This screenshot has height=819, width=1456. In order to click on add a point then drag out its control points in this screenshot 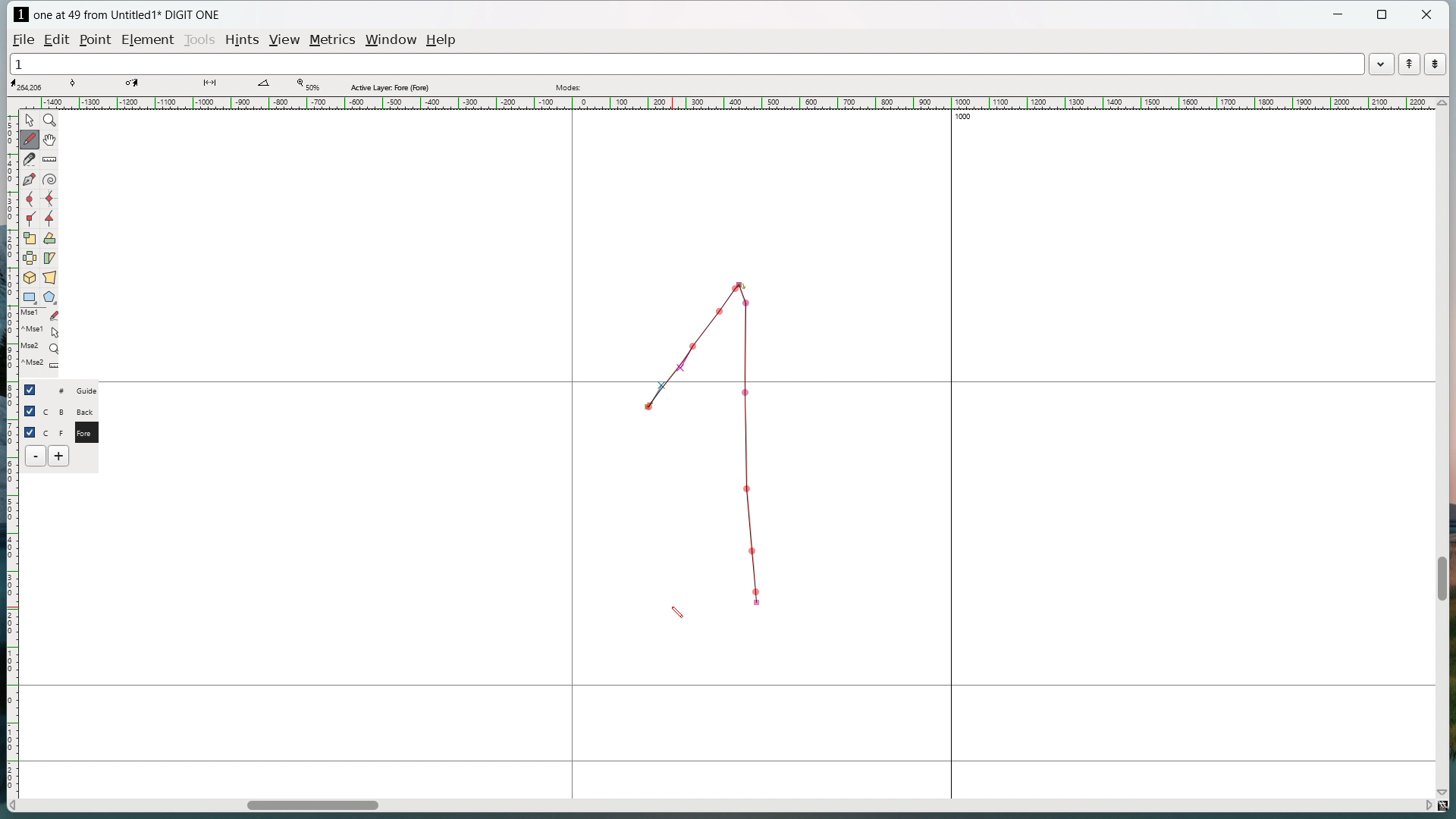, I will do `click(30, 179)`.